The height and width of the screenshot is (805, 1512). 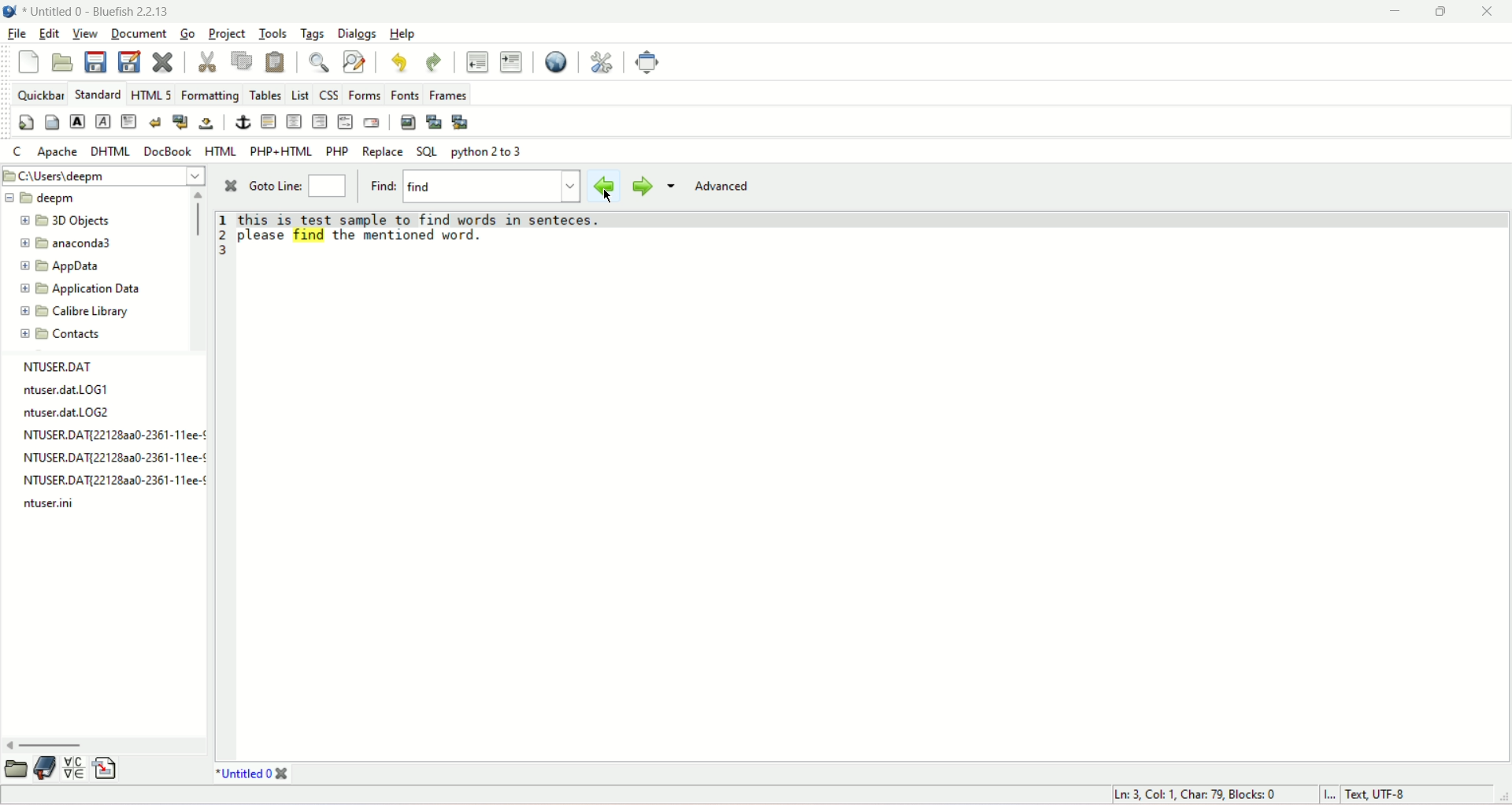 What do you see at coordinates (76, 312) in the screenshot?
I see `calibre library` at bounding box center [76, 312].